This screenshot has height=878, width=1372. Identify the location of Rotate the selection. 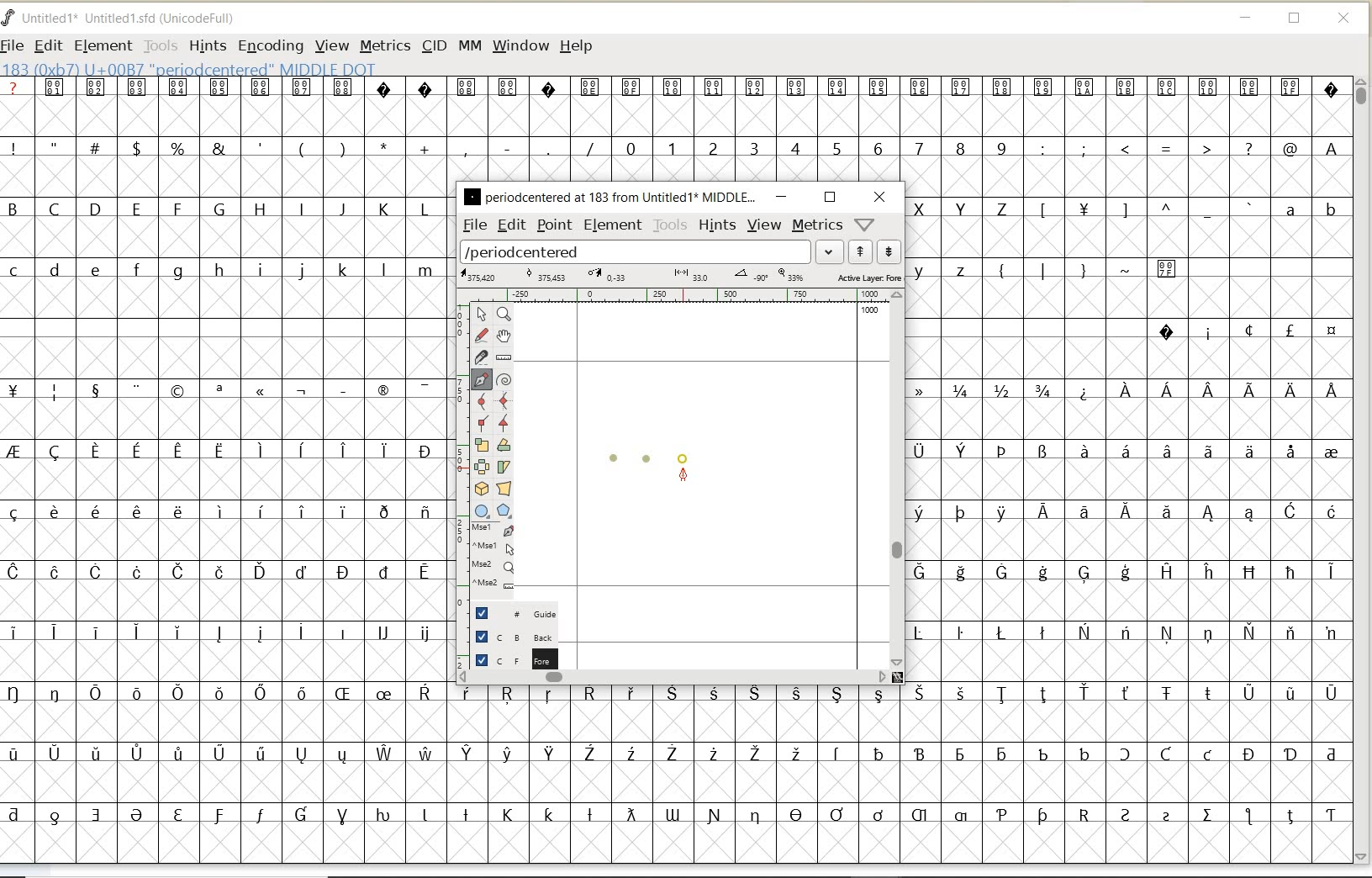
(504, 445).